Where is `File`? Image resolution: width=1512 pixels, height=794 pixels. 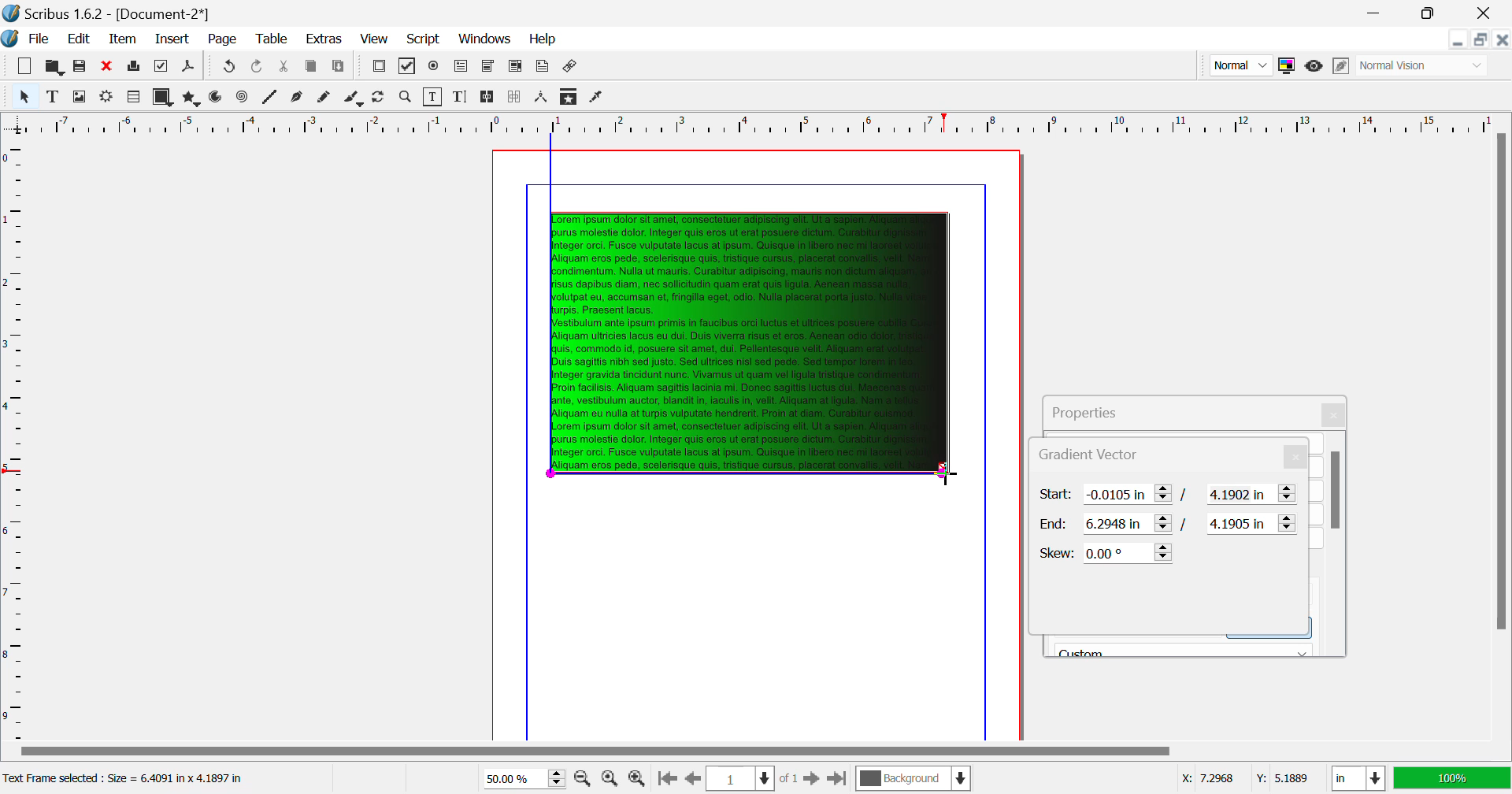
File is located at coordinates (28, 39).